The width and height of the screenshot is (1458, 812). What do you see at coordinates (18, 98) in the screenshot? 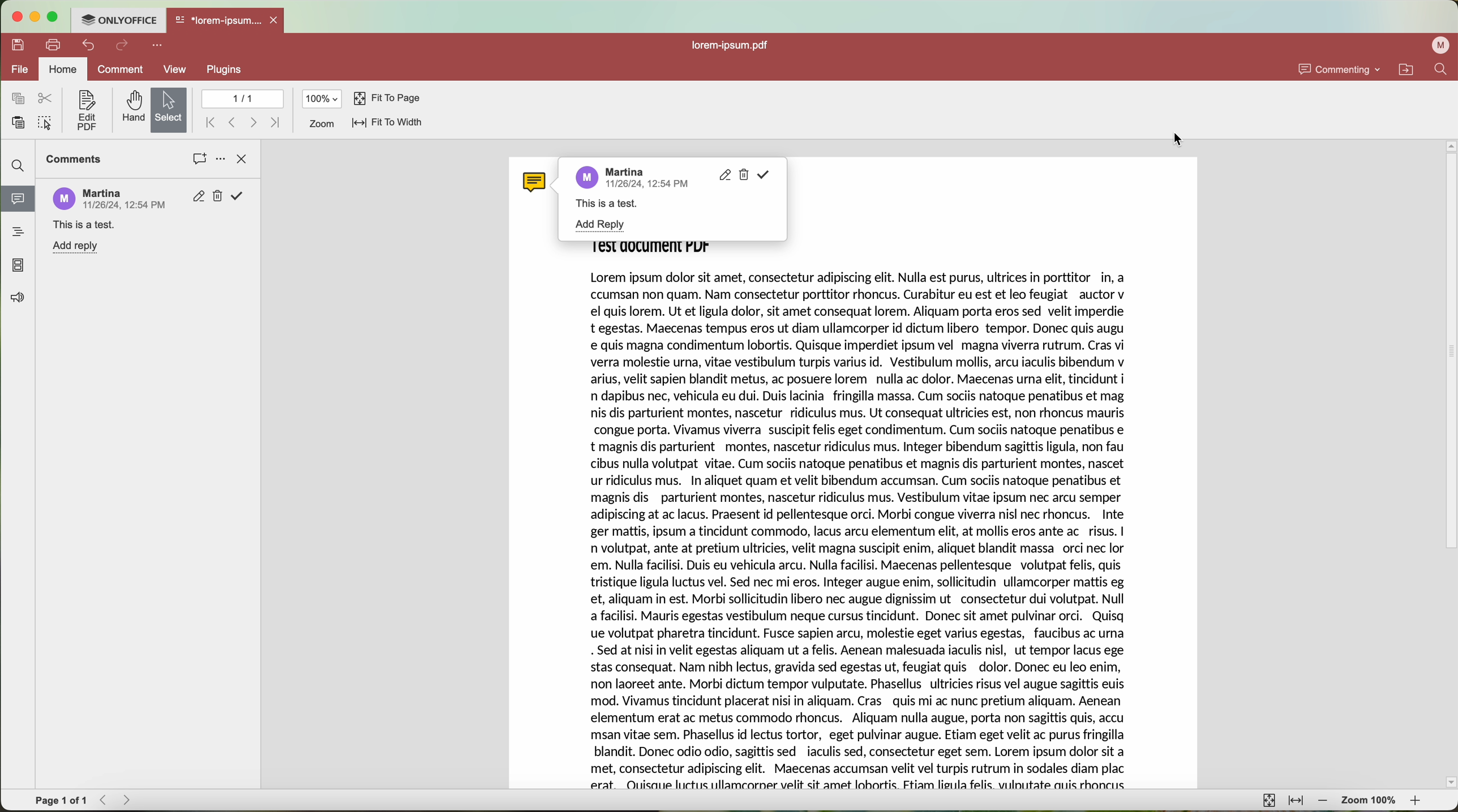
I see `copy` at bounding box center [18, 98].